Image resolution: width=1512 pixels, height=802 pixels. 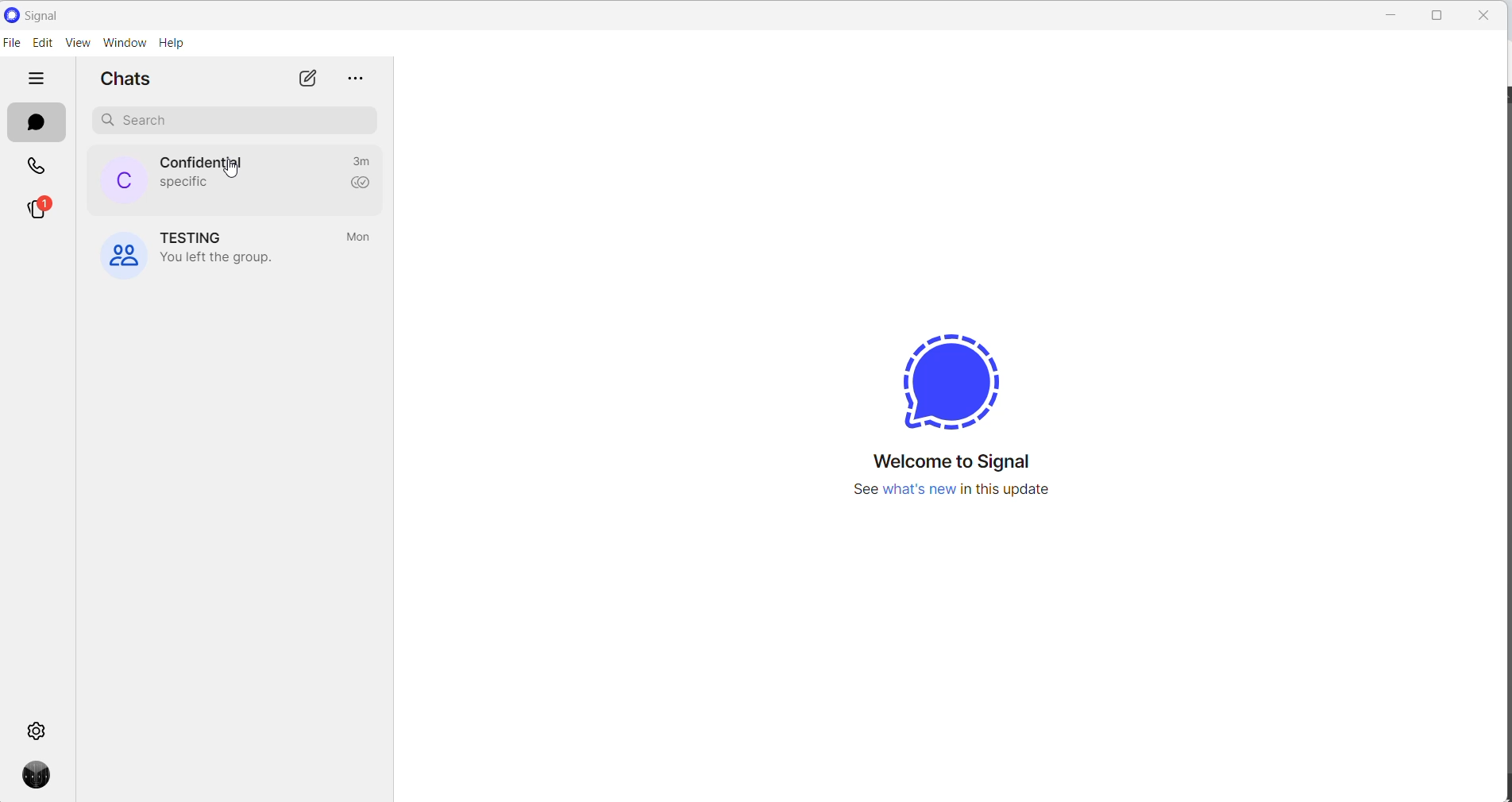 What do you see at coordinates (361, 238) in the screenshot?
I see `last active` at bounding box center [361, 238].